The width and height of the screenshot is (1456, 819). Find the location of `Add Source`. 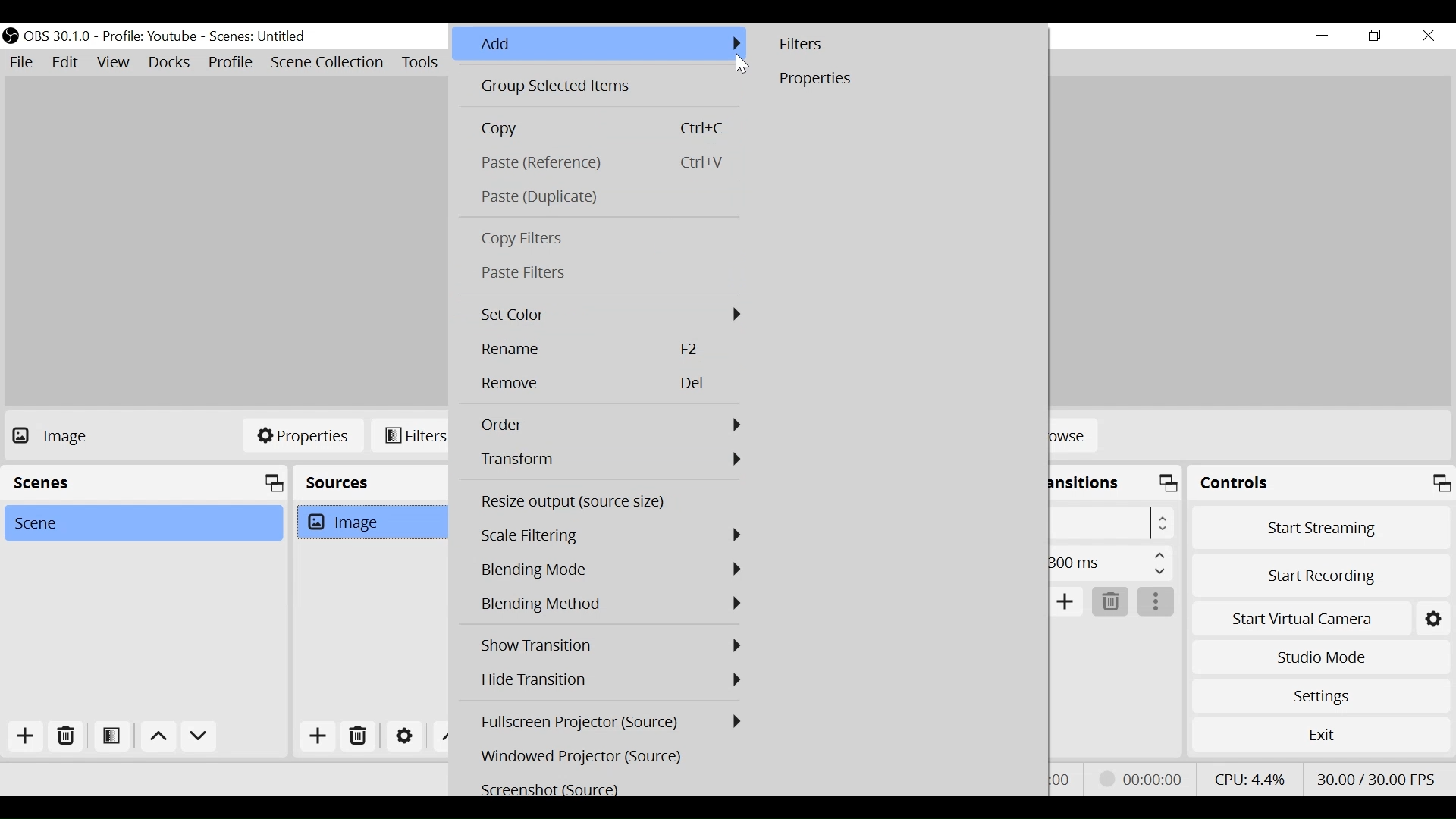

Add Source is located at coordinates (317, 738).